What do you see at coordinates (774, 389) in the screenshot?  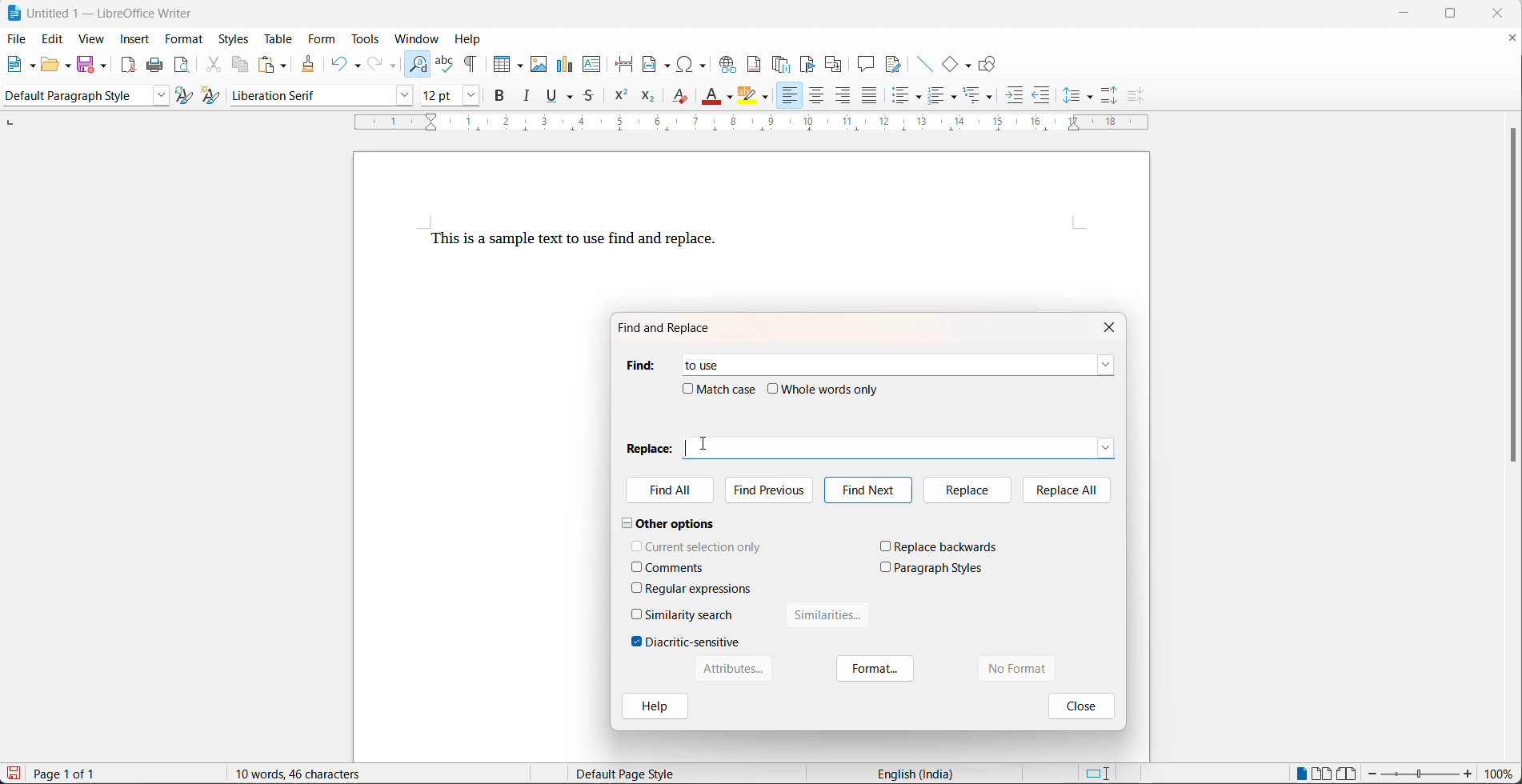 I see `checkbox` at bounding box center [774, 389].